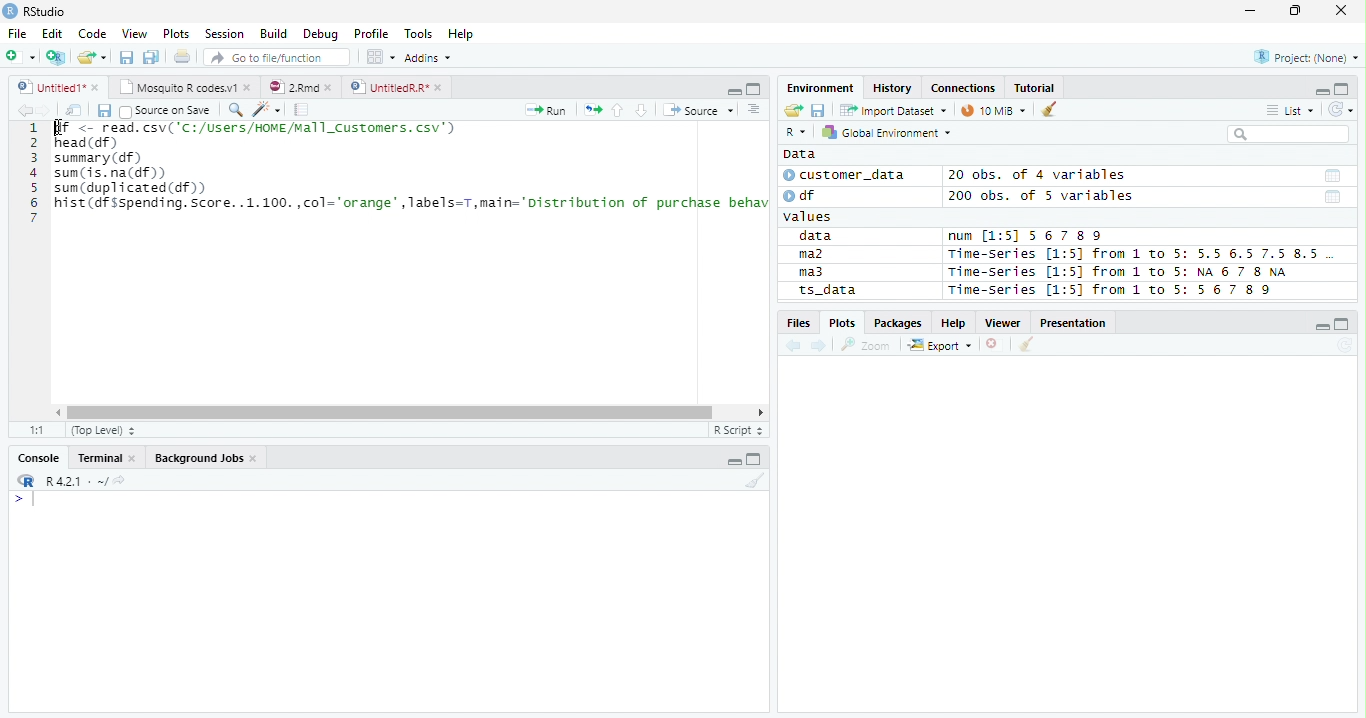 This screenshot has width=1366, height=718. Describe the element at coordinates (617, 111) in the screenshot. I see `Up` at that location.